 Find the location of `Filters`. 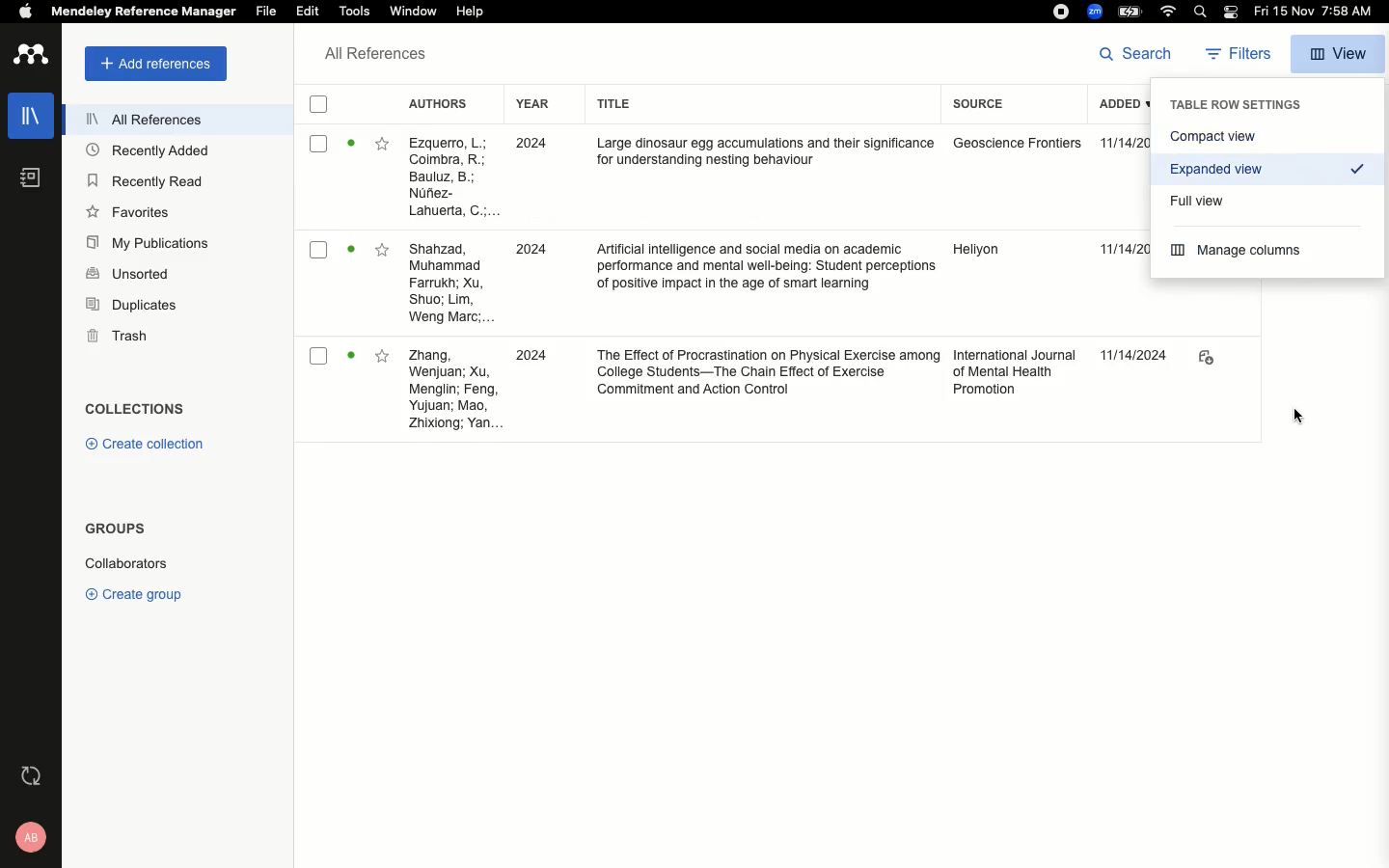

Filters is located at coordinates (1233, 55).